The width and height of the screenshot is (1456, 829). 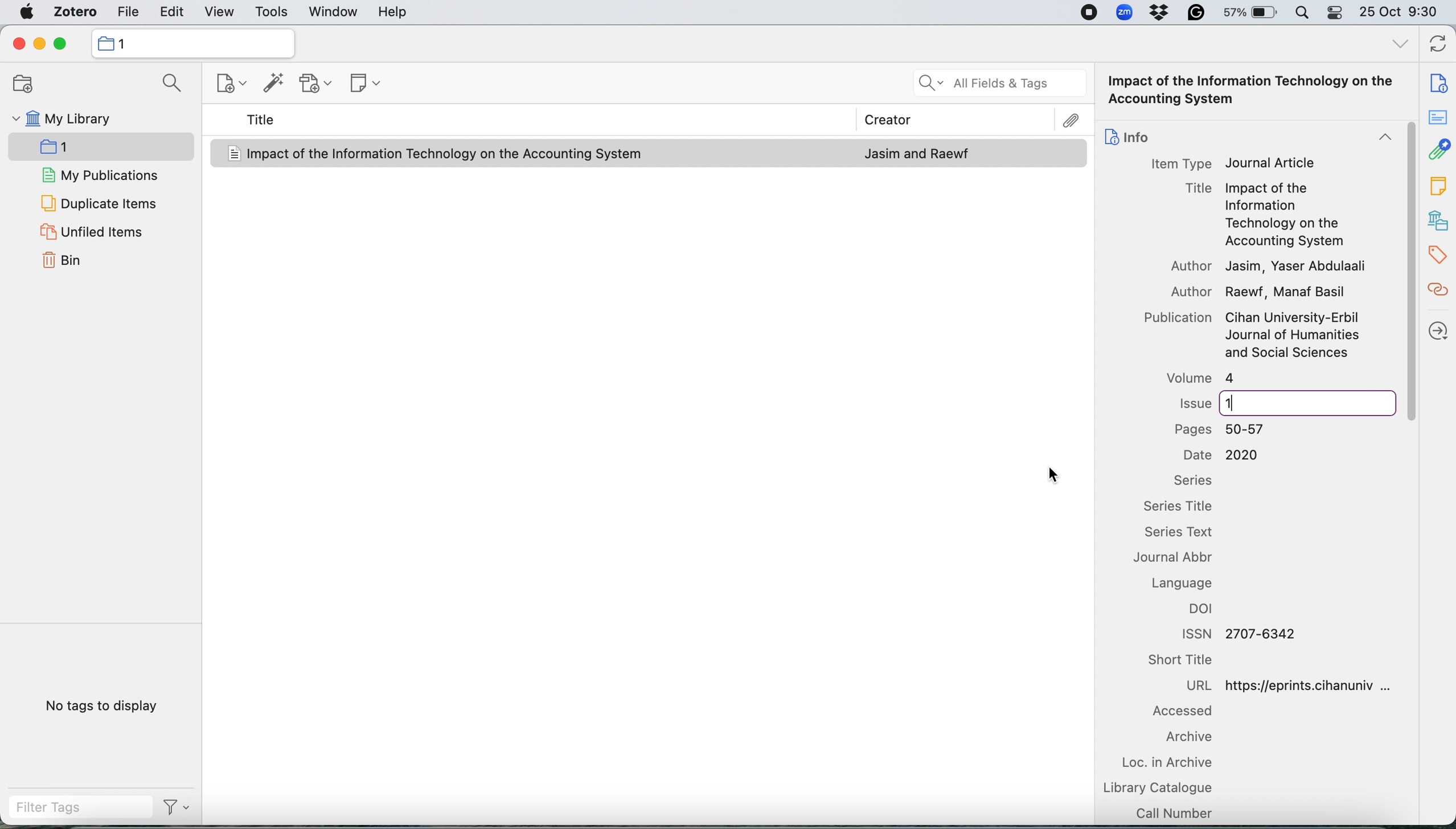 I want to click on collapse, so click(x=1379, y=139).